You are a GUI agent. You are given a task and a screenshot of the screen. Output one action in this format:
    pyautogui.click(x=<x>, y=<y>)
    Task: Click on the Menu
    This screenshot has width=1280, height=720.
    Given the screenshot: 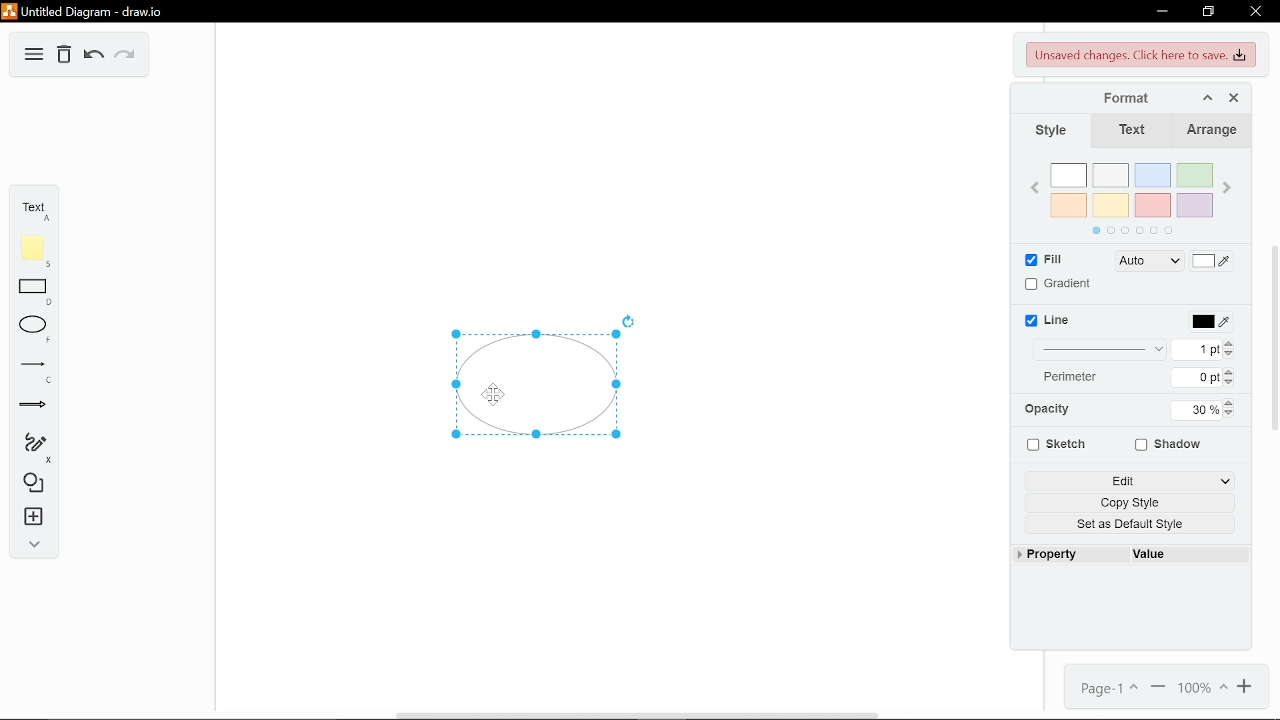 What is the action you would take?
    pyautogui.click(x=32, y=54)
    